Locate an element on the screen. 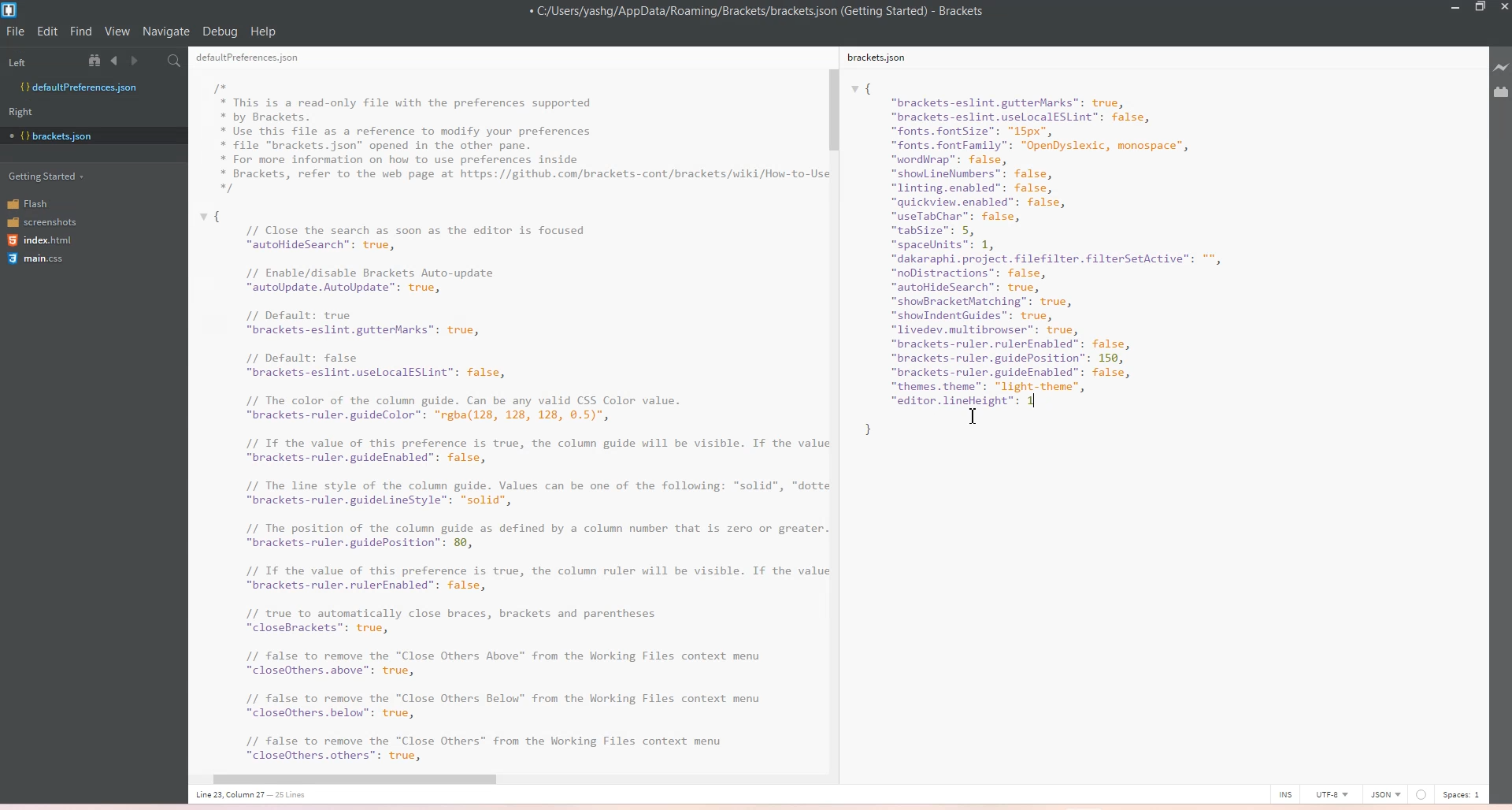  View is located at coordinates (117, 32).